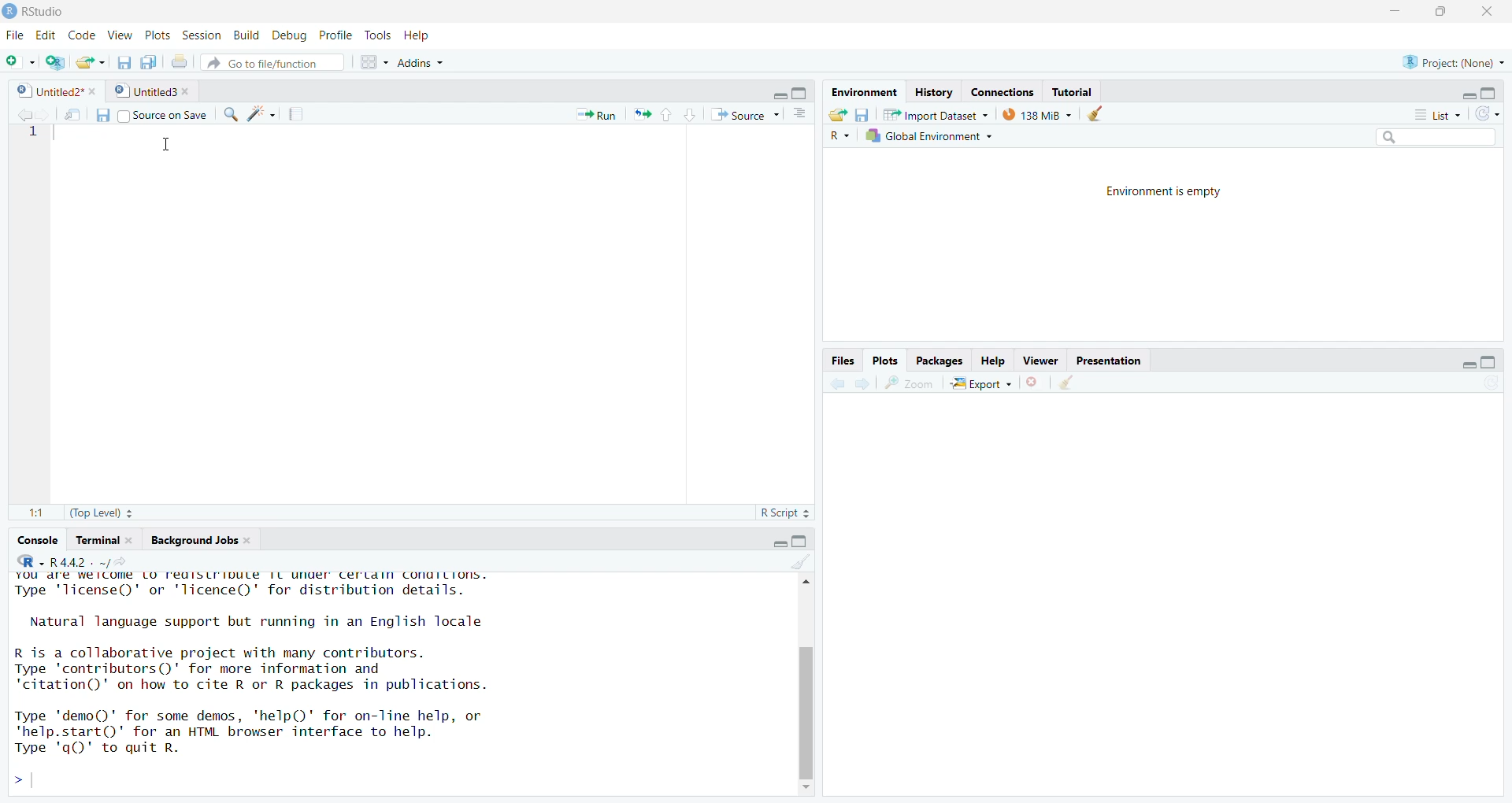 Image resolution: width=1512 pixels, height=803 pixels. Describe the element at coordinates (199, 538) in the screenshot. I see `Background Jobs` at that location.